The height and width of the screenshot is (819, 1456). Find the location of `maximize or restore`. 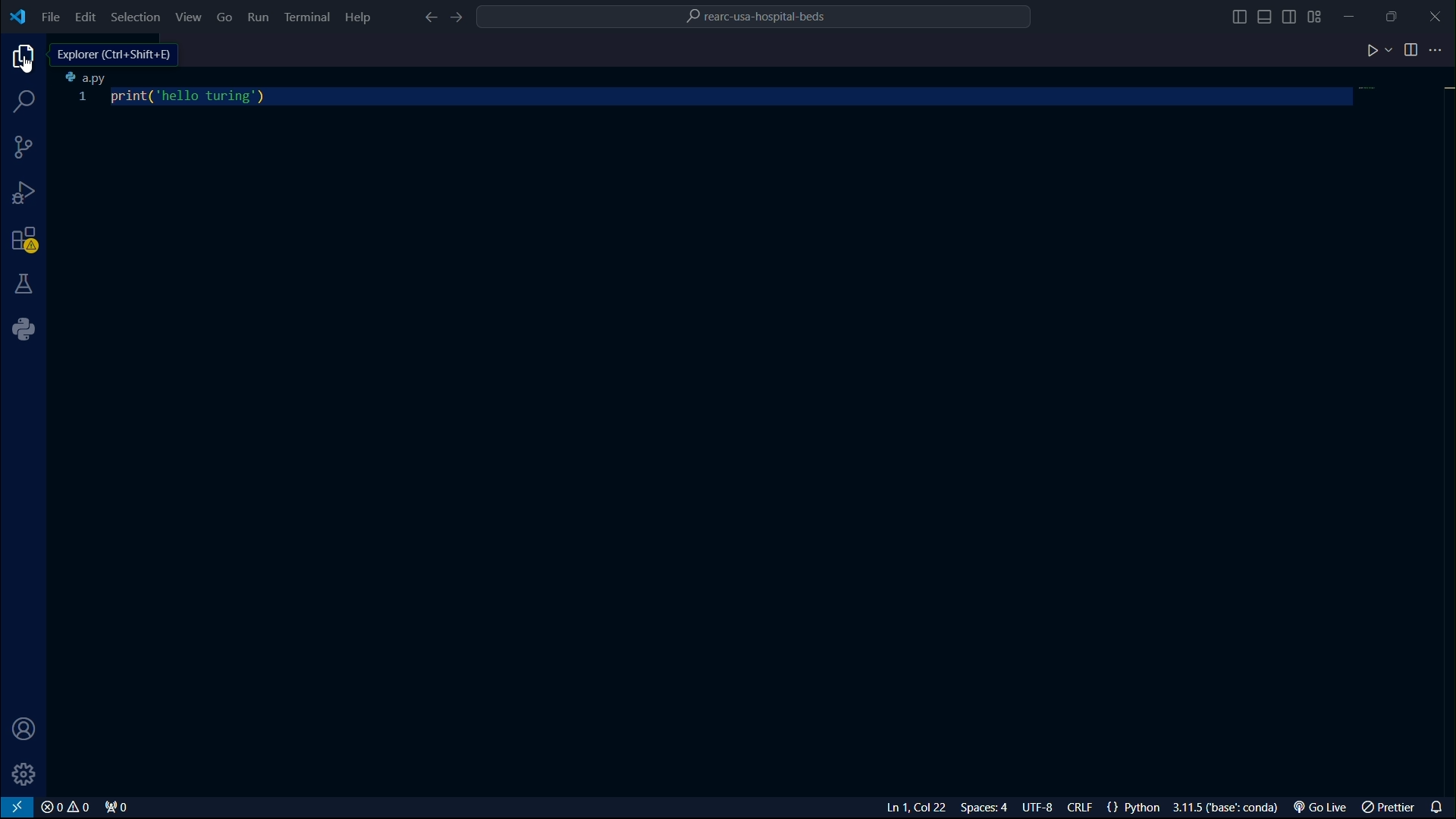

maximize or restore is located at coordinates (1399, 16).